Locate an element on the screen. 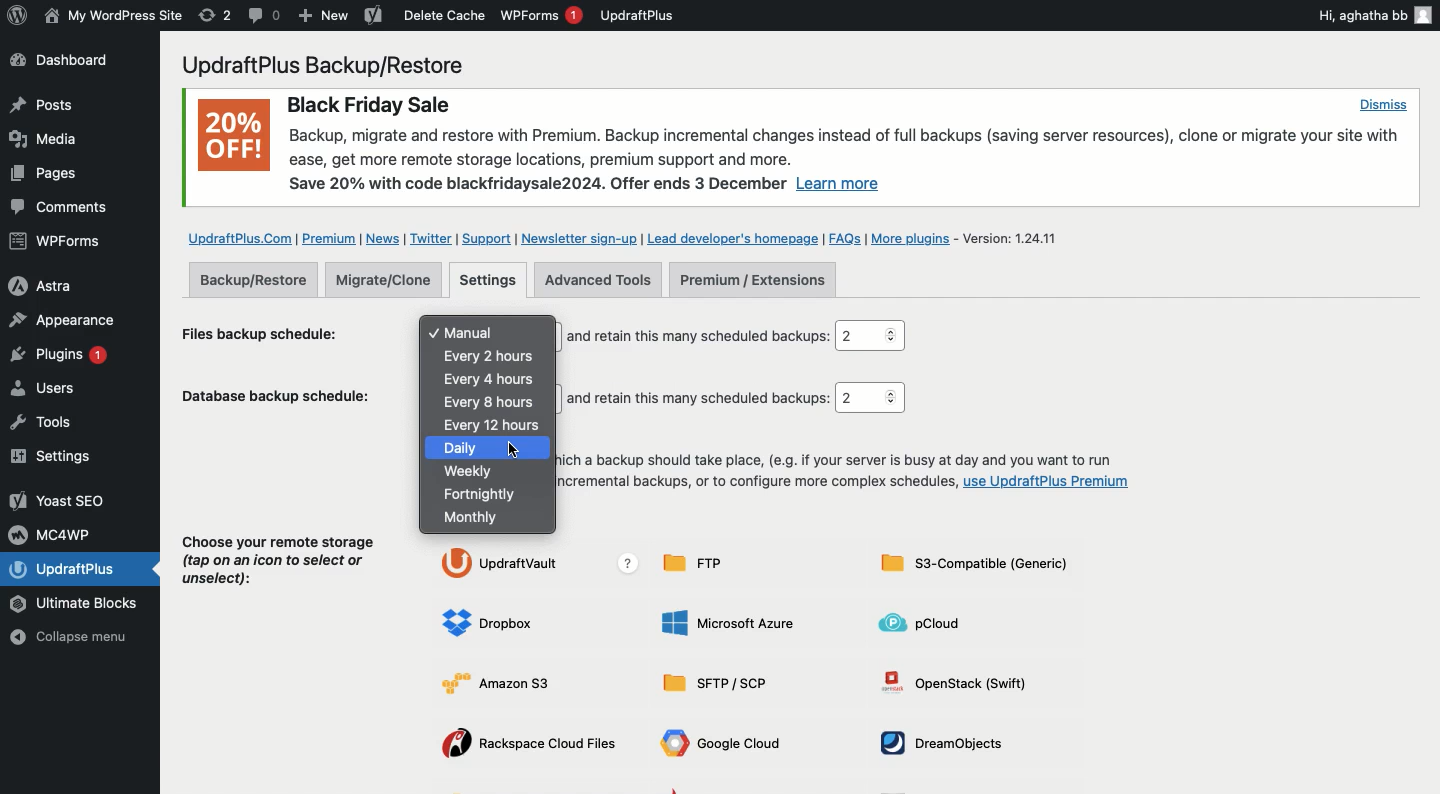 Image resolution: width=1440 pixels, height=794 pixels. 2 is located at coordinates (874, 336).